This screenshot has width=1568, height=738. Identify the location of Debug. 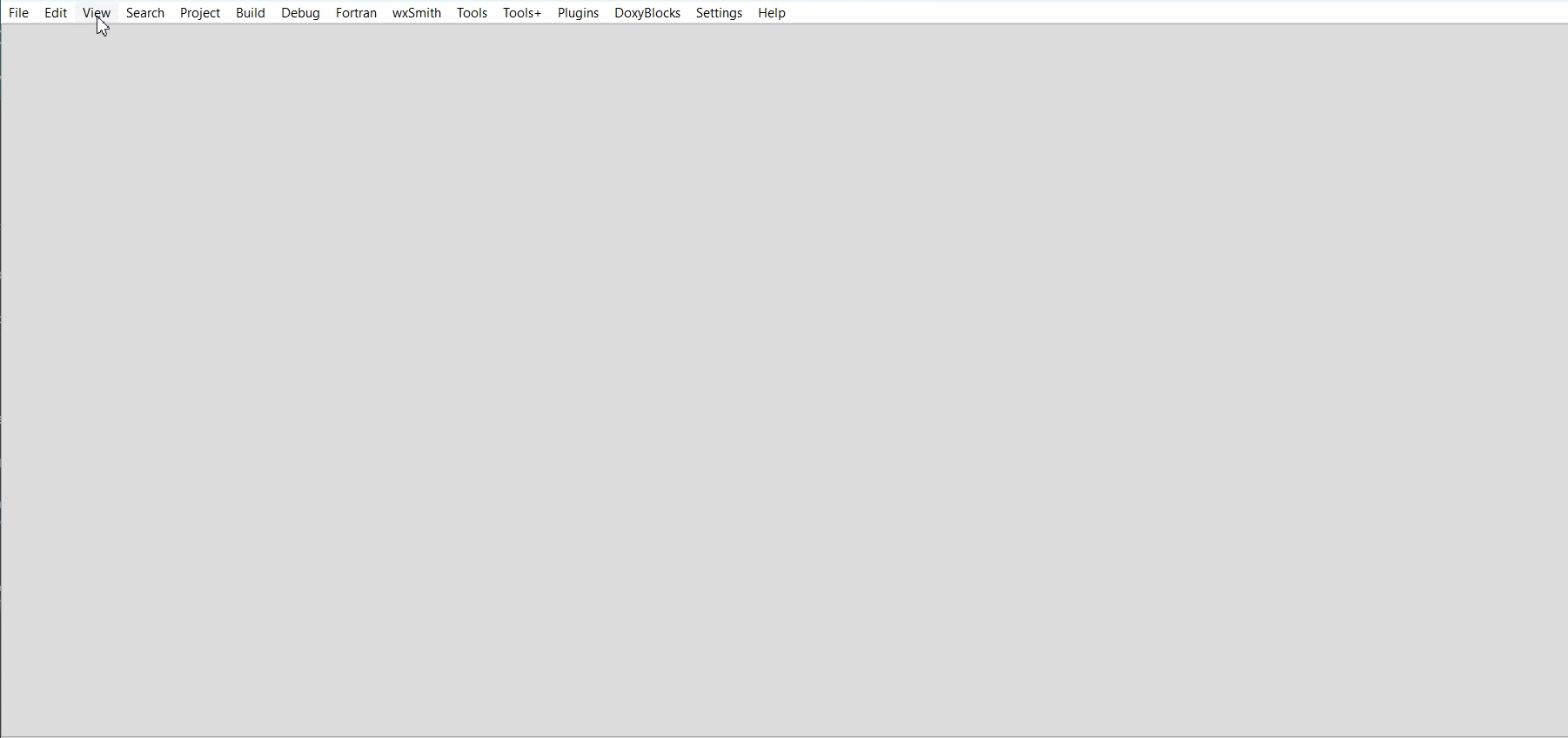
(302, 13).